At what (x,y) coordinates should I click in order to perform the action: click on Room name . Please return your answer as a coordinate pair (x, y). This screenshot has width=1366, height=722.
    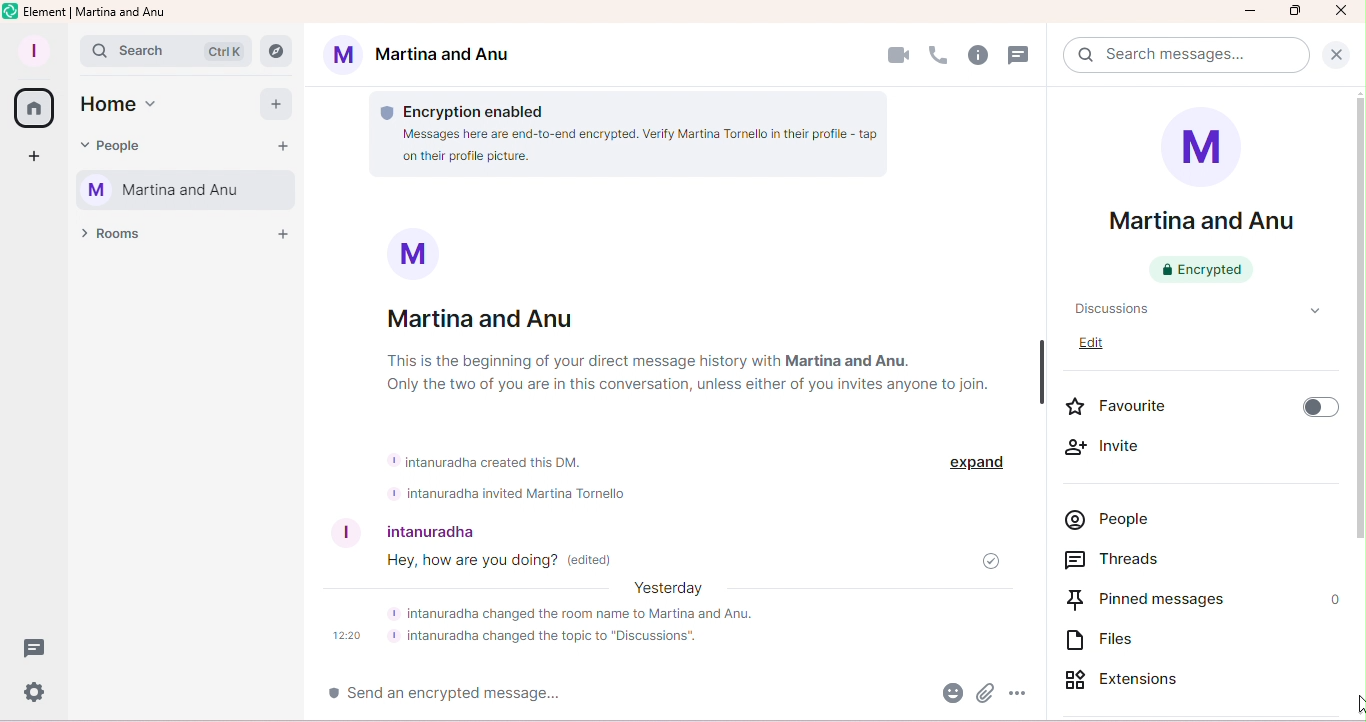
    Looking at the image, I should click on (1201, 200).